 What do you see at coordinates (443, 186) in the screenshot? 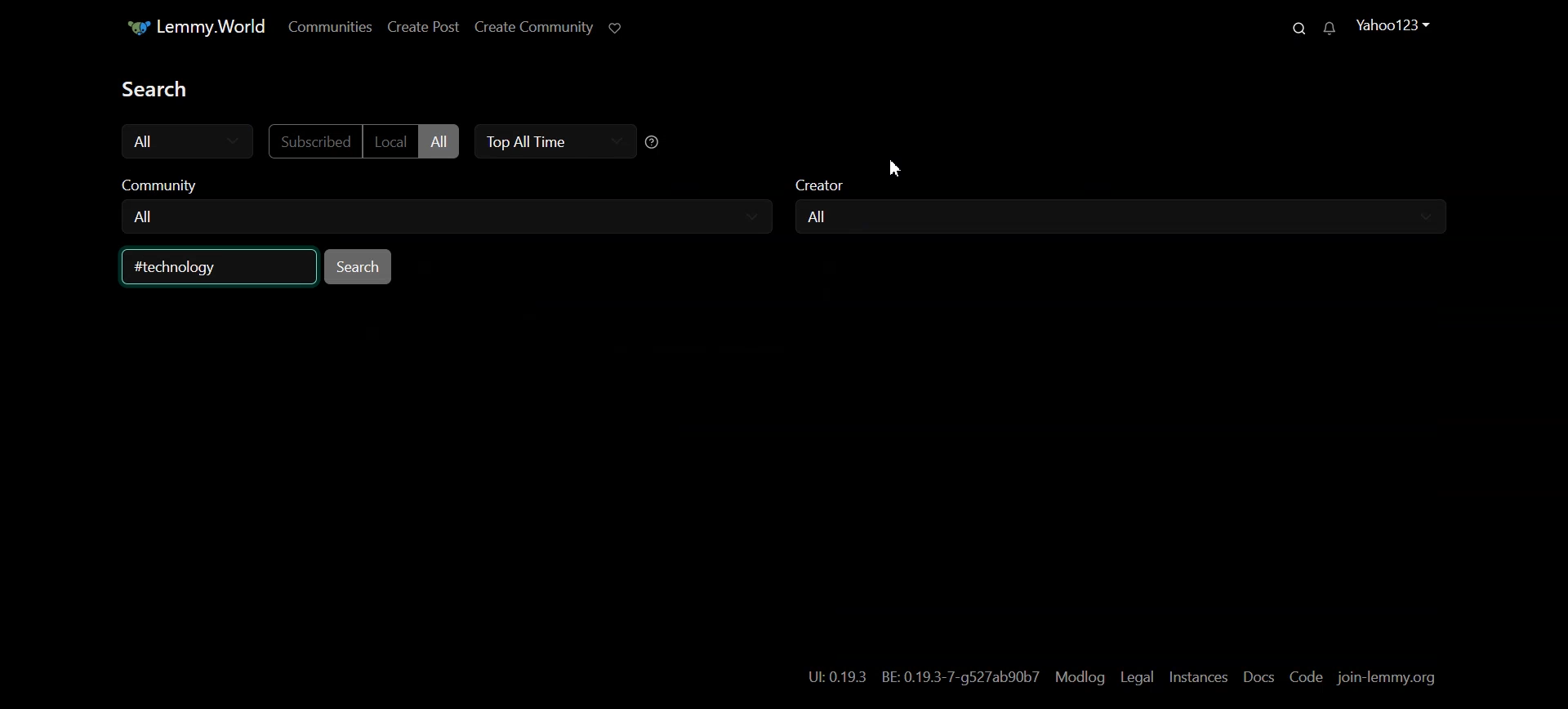
I see `Community` at bounding box center [443, 186].